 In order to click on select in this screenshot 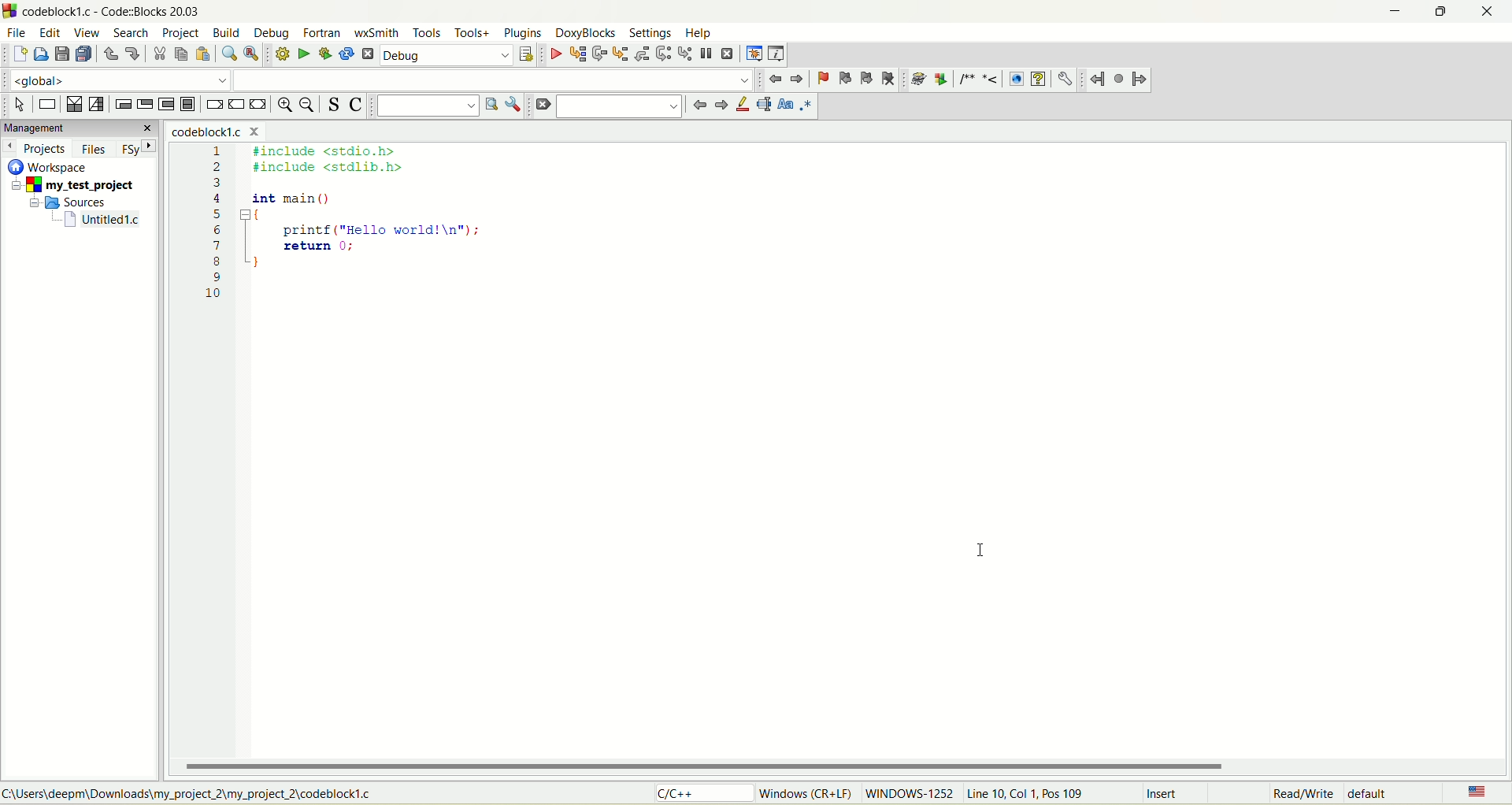, I will do `click(20, 105)`.